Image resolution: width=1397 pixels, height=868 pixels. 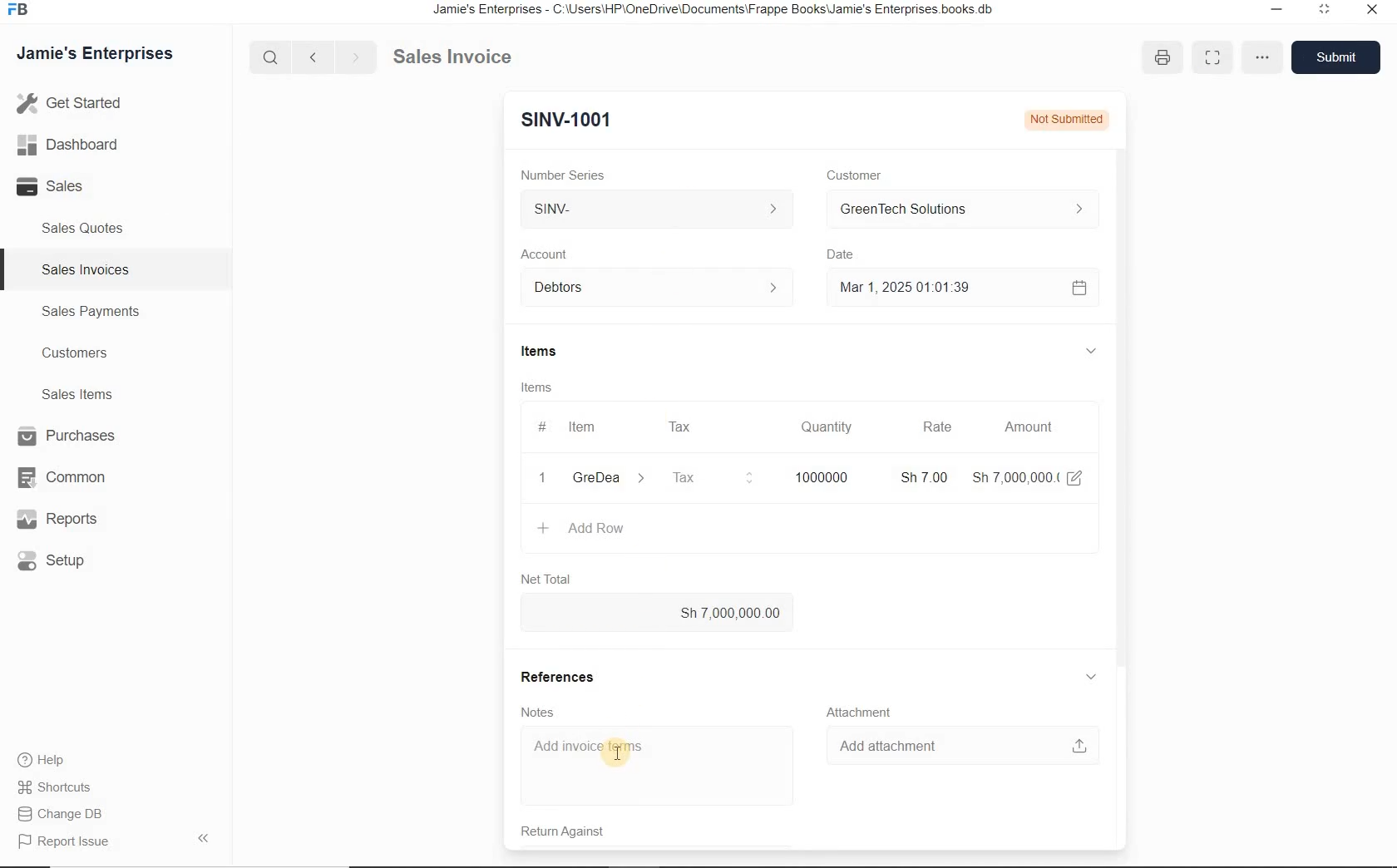 What do you see at coordinates (93, 54) in the screenshot?
I see `Jamie's Enterprises` at bounding box center [93, 54].